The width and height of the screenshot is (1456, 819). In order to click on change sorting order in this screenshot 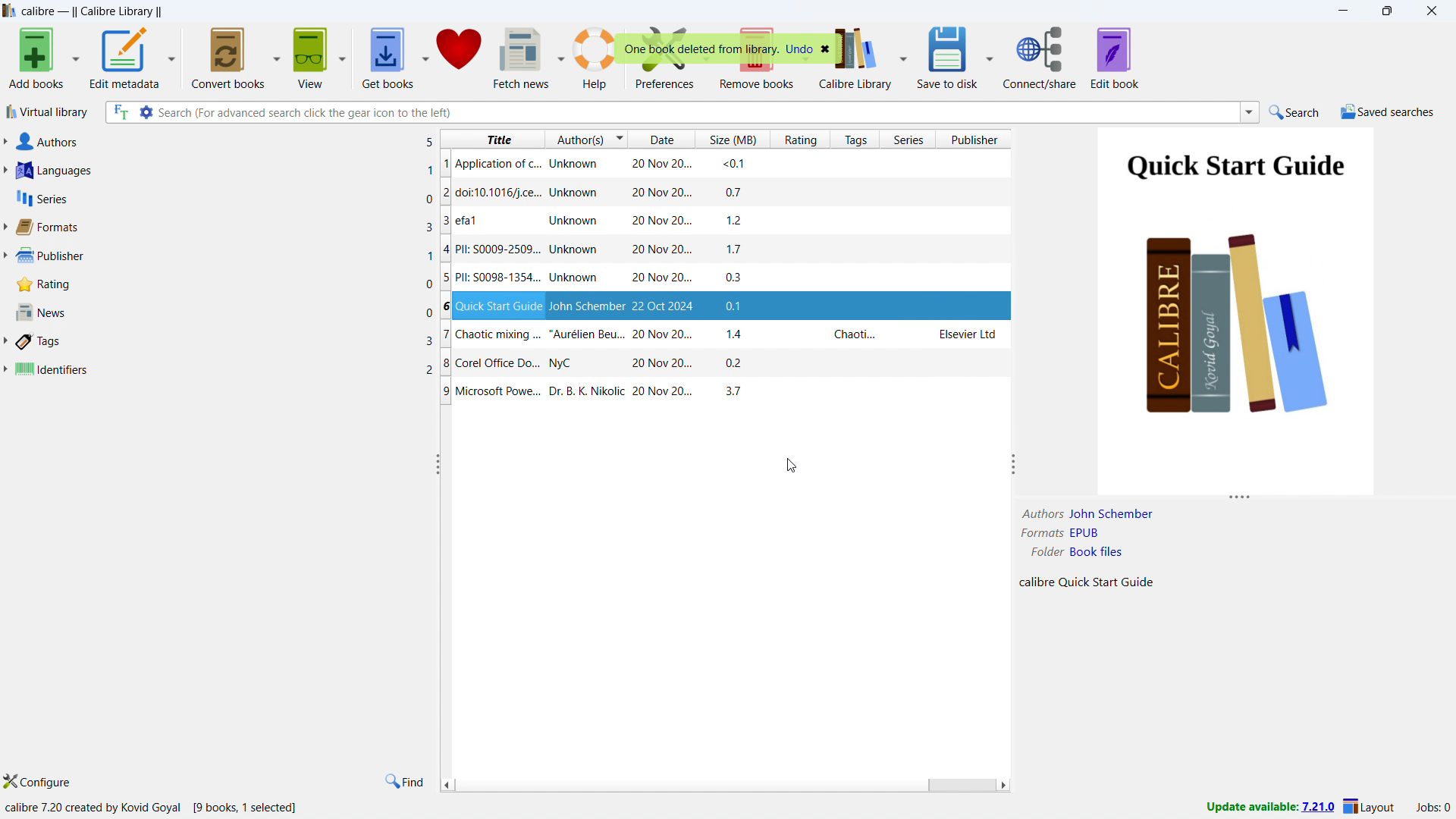, I will do `click(626, 138)`.